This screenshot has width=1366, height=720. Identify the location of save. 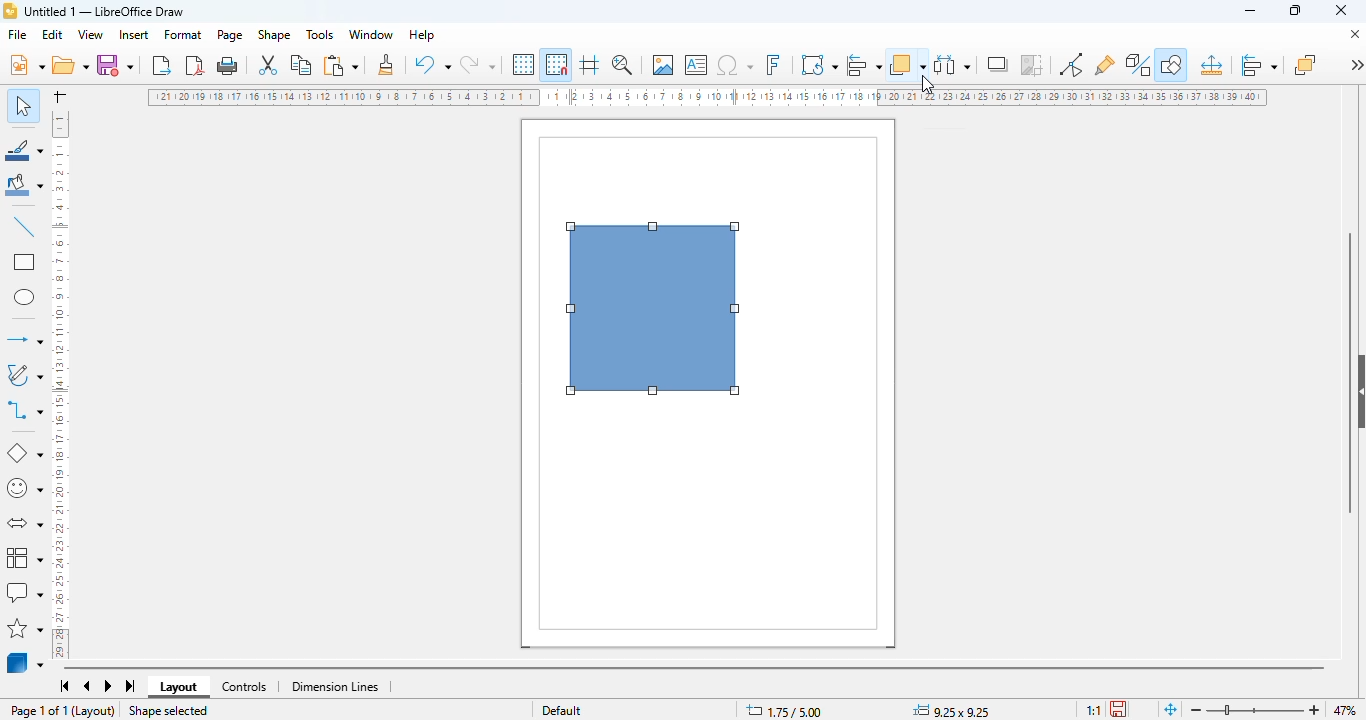
(114, 64).